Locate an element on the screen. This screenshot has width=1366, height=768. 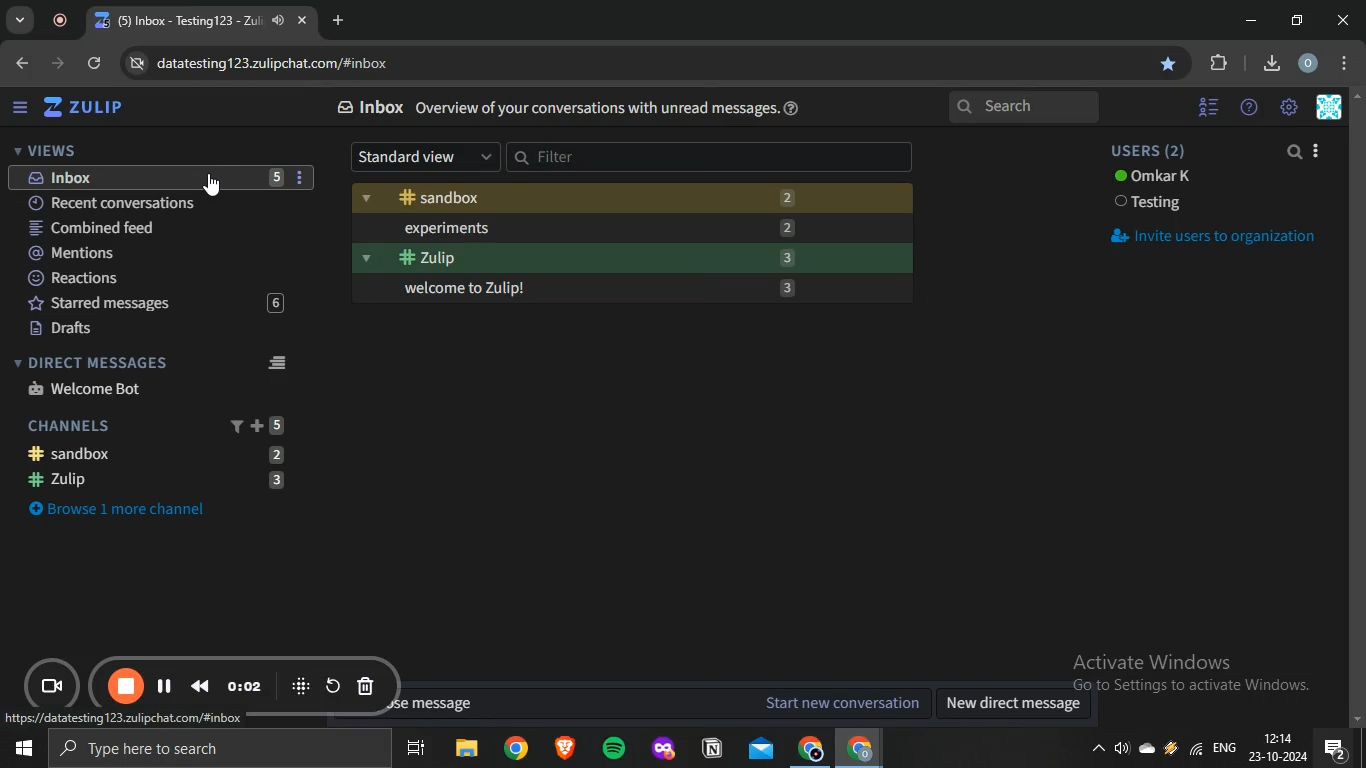
new tab is located at coordinates (341, 20).